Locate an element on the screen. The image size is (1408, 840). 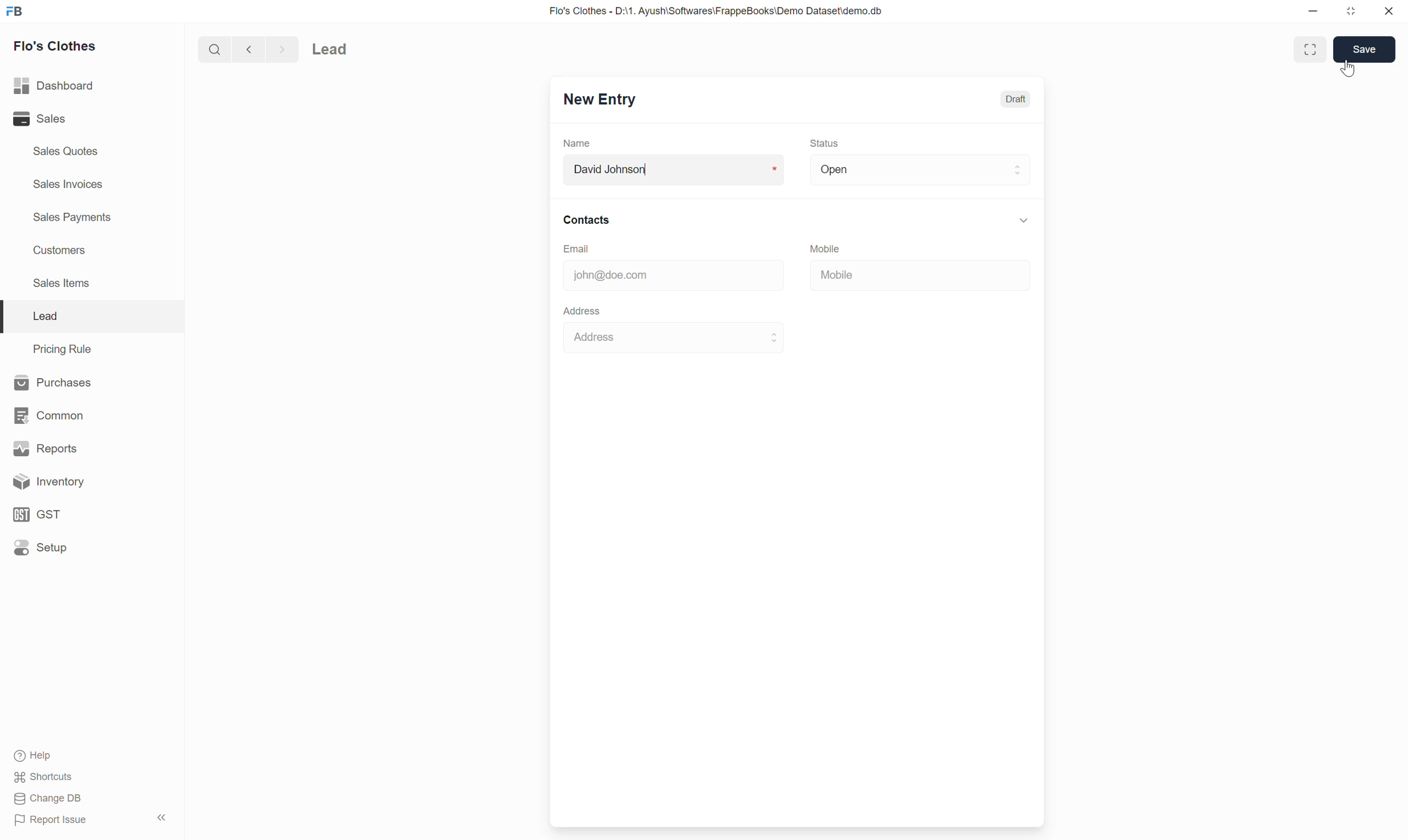
Mobile is located at coordinates (886, 273).